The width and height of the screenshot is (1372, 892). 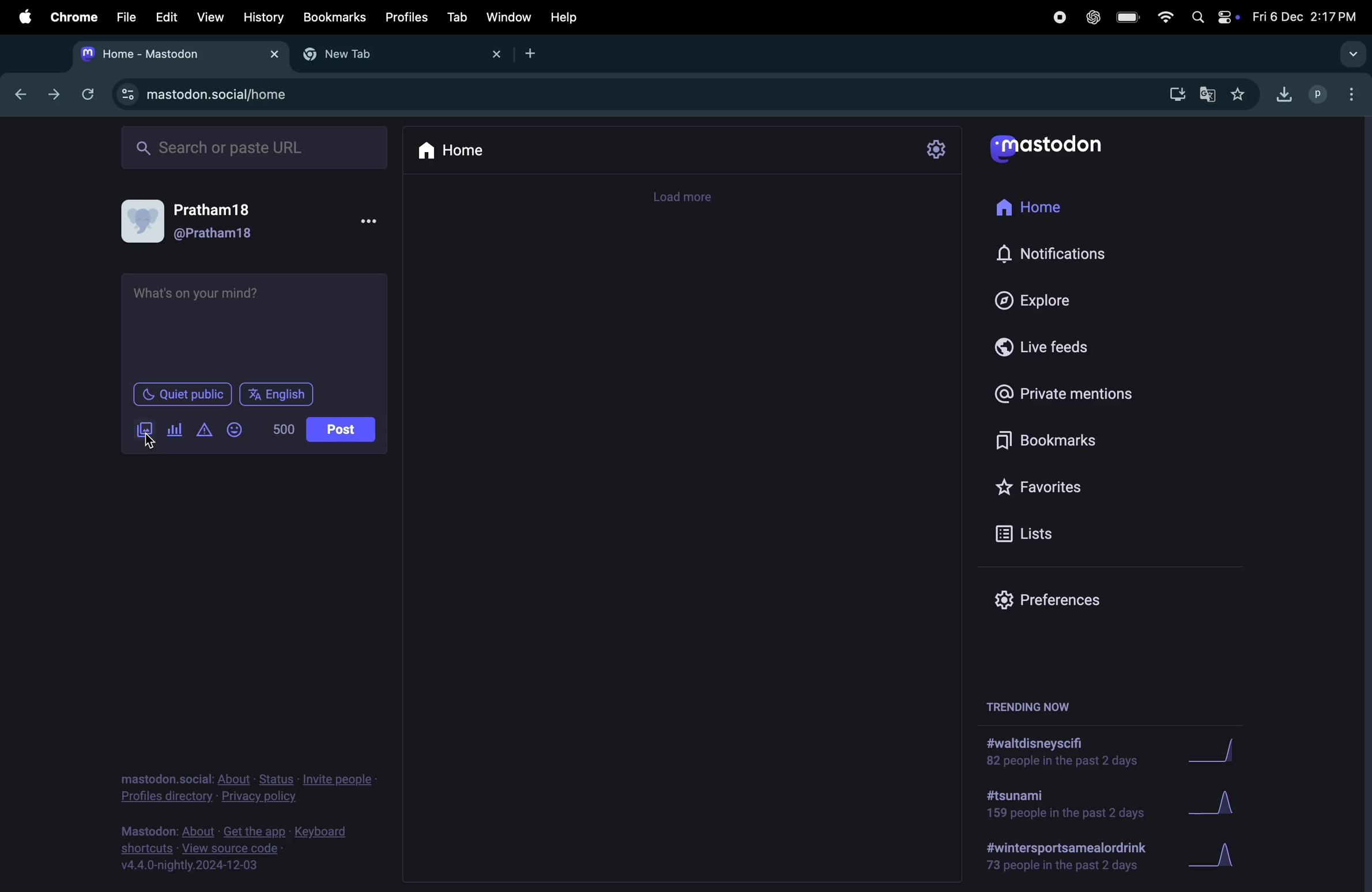 I want to click on text box, so click(x=257, y=325).